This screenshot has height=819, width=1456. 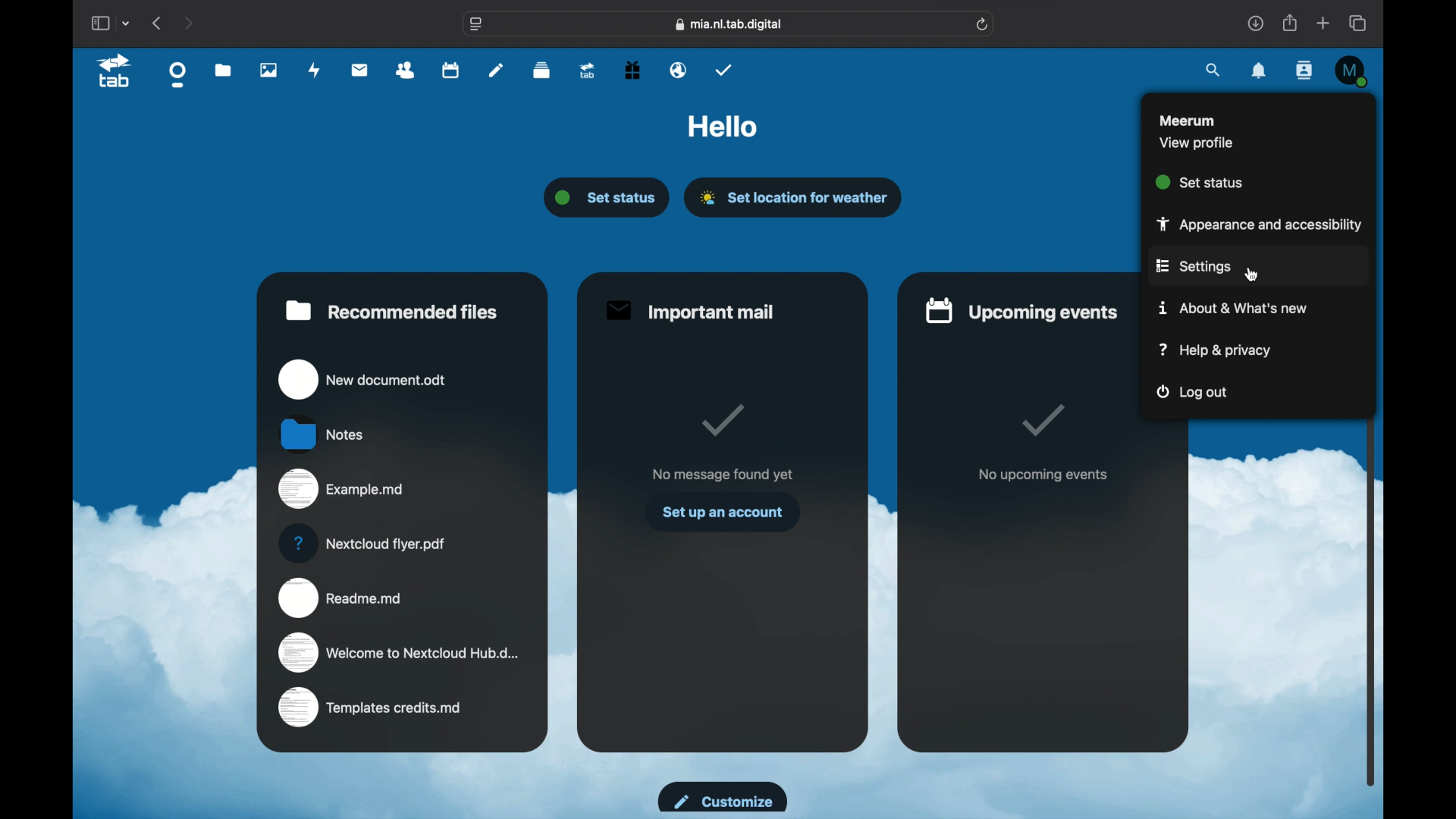 What do you see at coordinates (477, 24) in the screenshot?
I see `website settings` at bounding box center [477, 24].